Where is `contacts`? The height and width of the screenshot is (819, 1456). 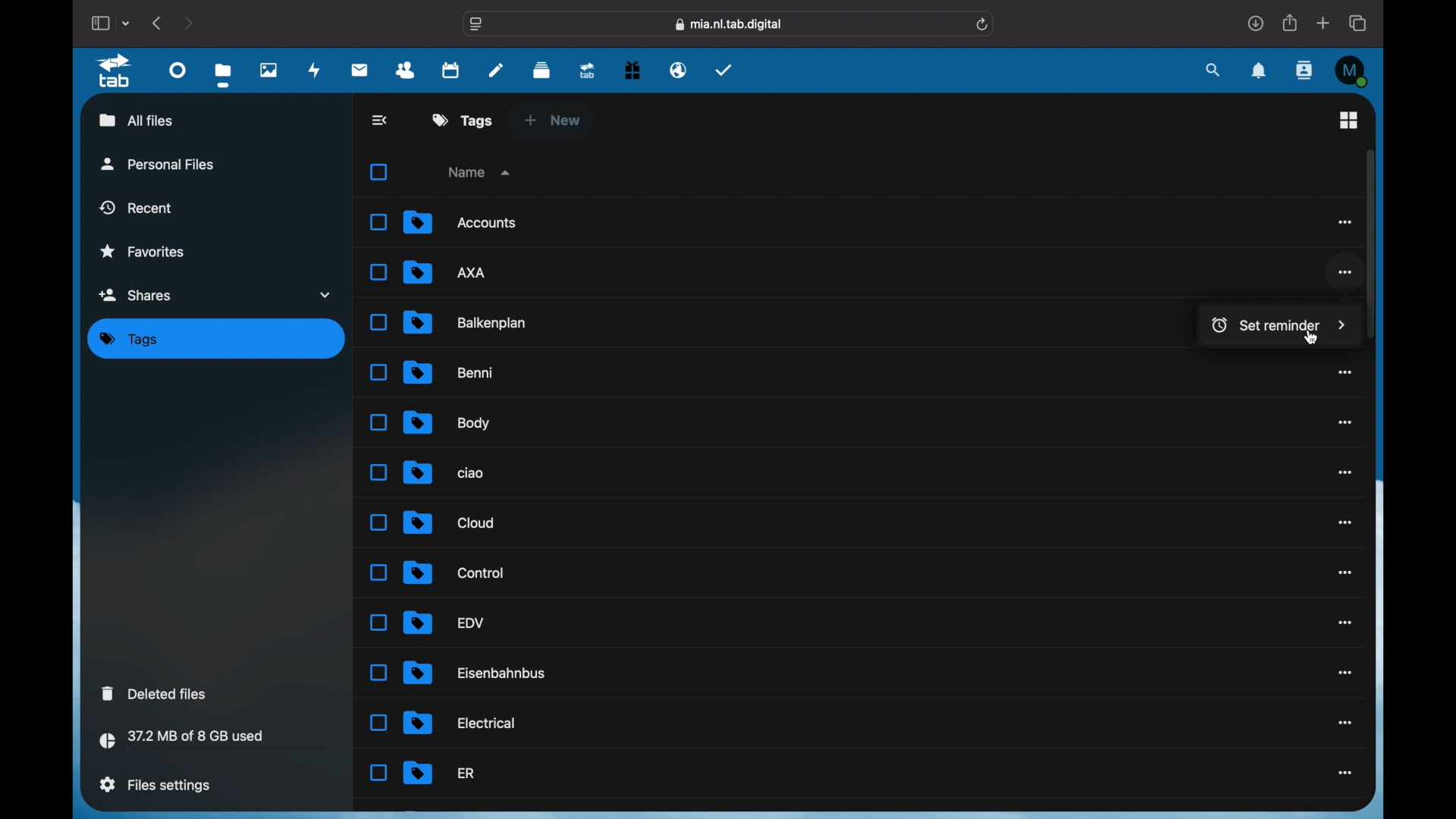
contacts is located at coordinates (1305, 71).